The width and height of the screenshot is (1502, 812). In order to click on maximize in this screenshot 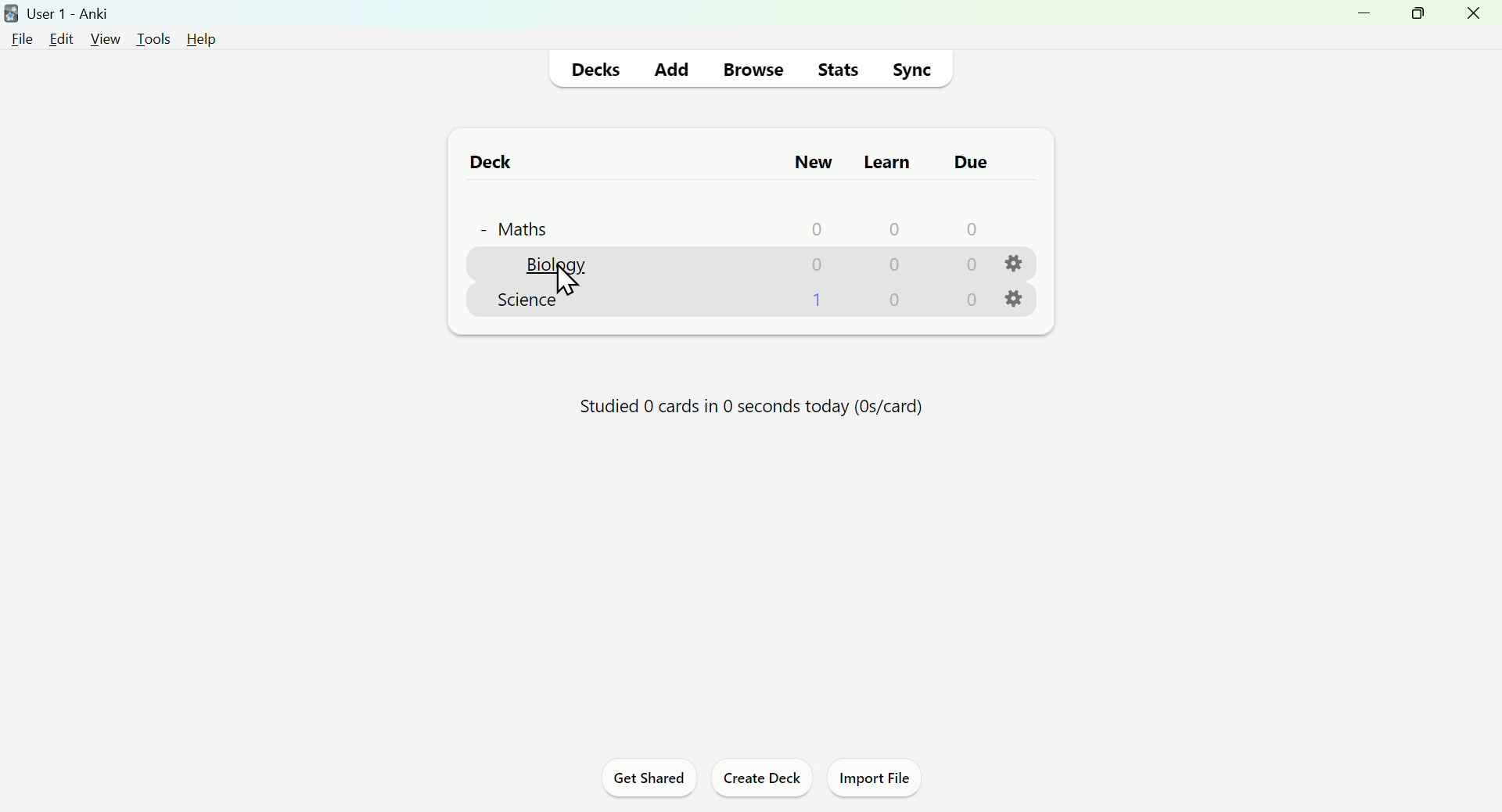, I will do `click(1416, 14)`.